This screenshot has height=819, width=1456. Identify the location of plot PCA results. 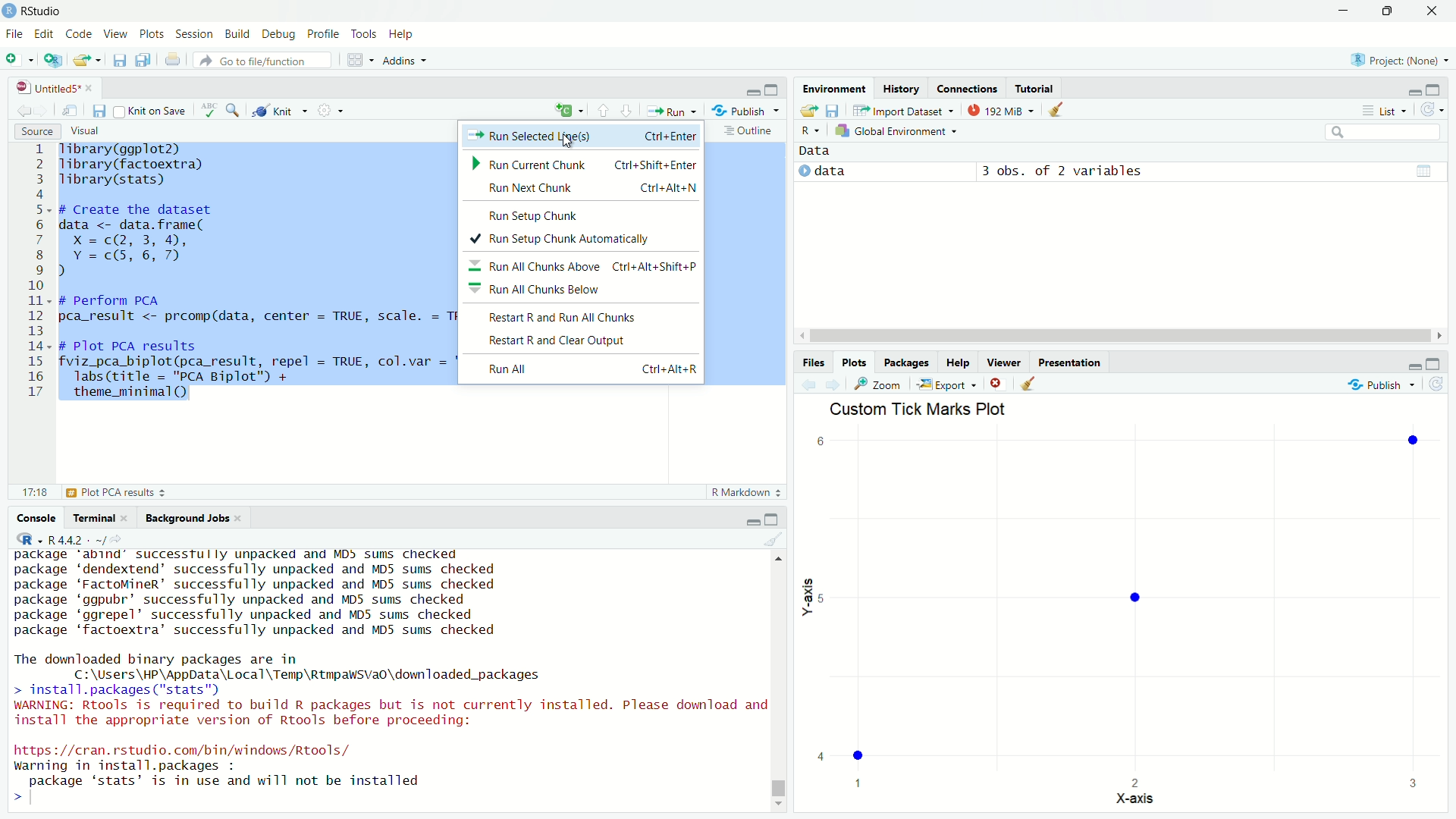
(89, 492).